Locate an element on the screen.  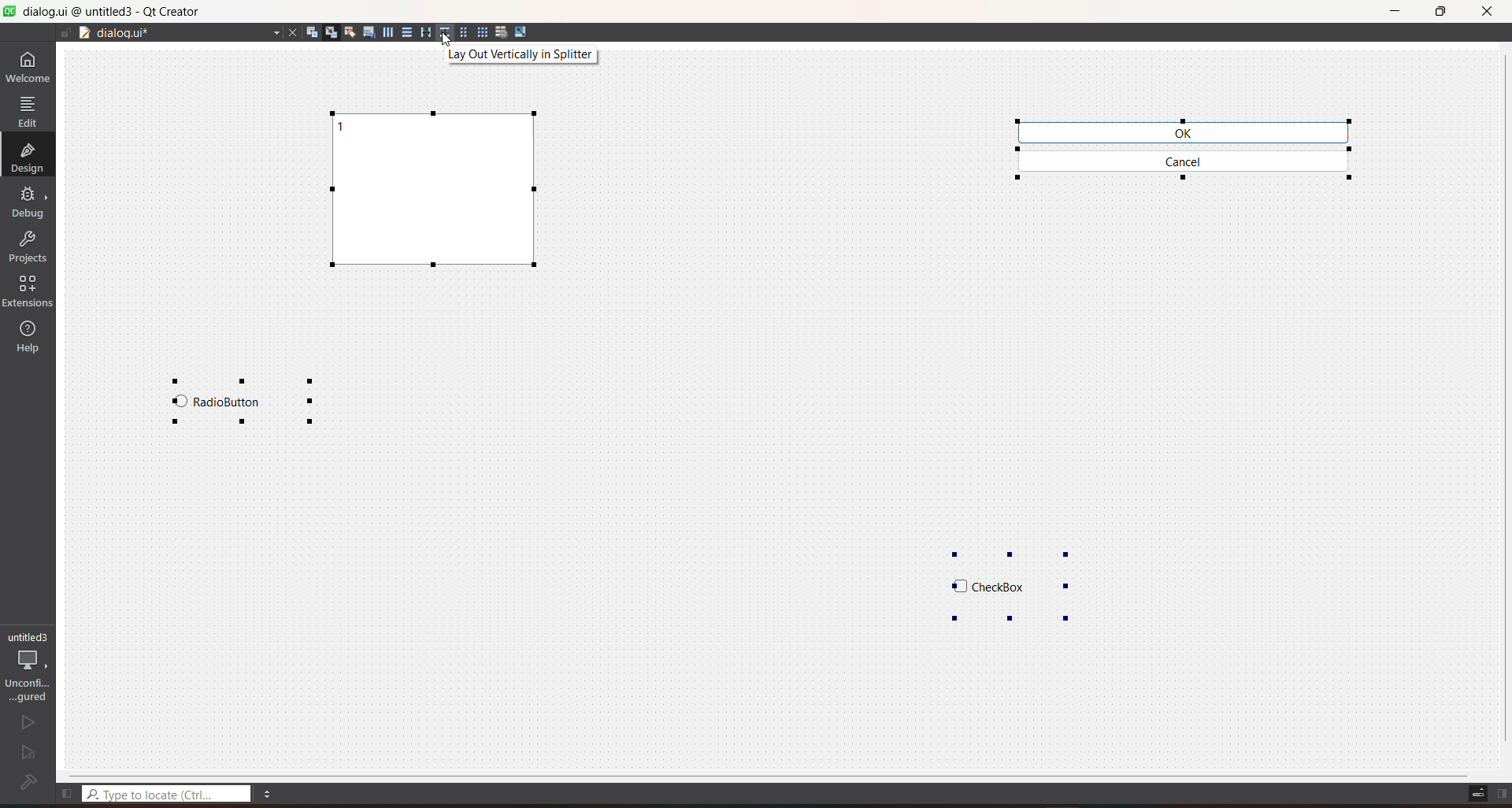
break layout is located at coordinates (501, 33).